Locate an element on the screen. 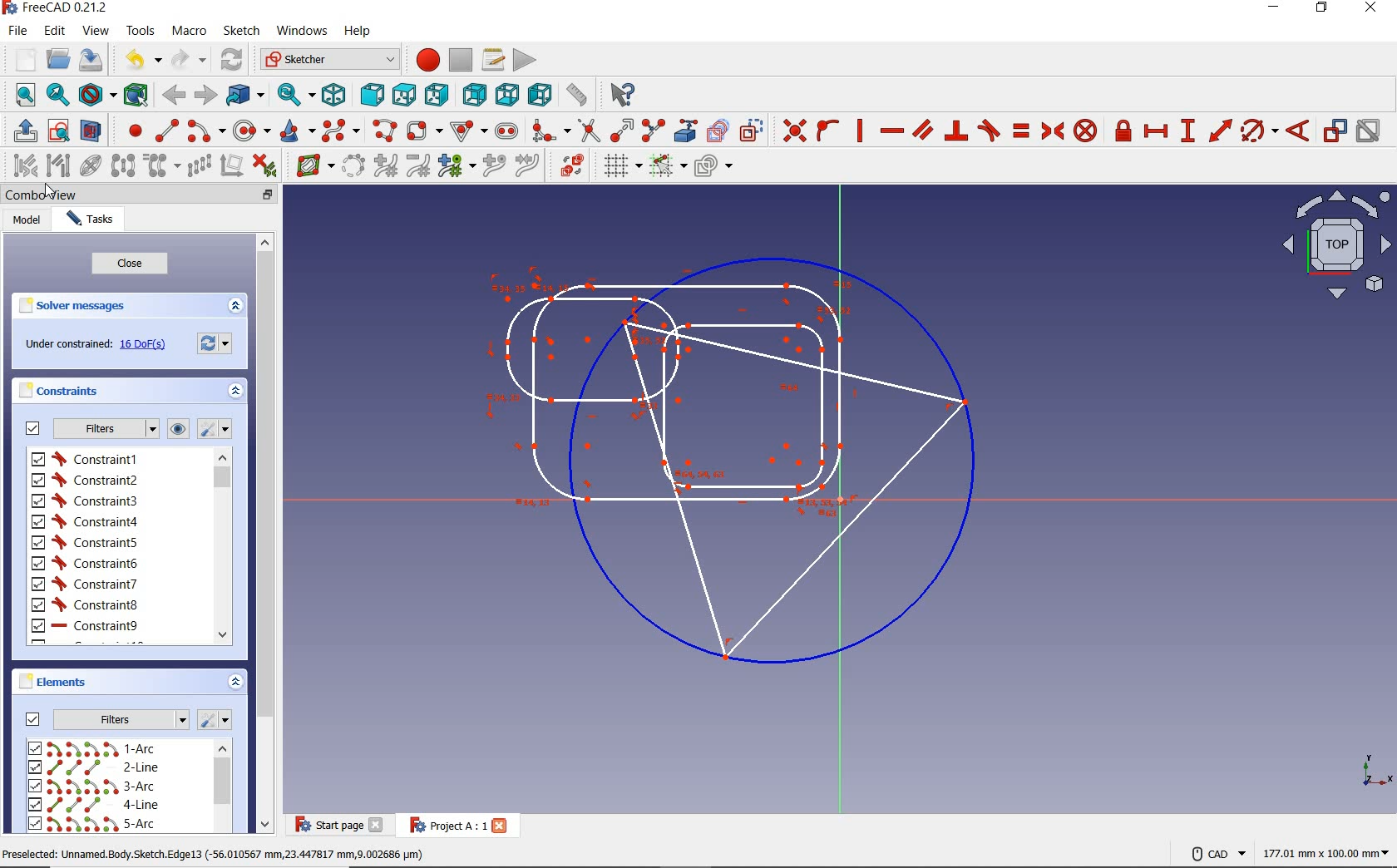 The height and width of the screenshot is (868, 1397). delete all constraints is located at coordinates (270, 165).